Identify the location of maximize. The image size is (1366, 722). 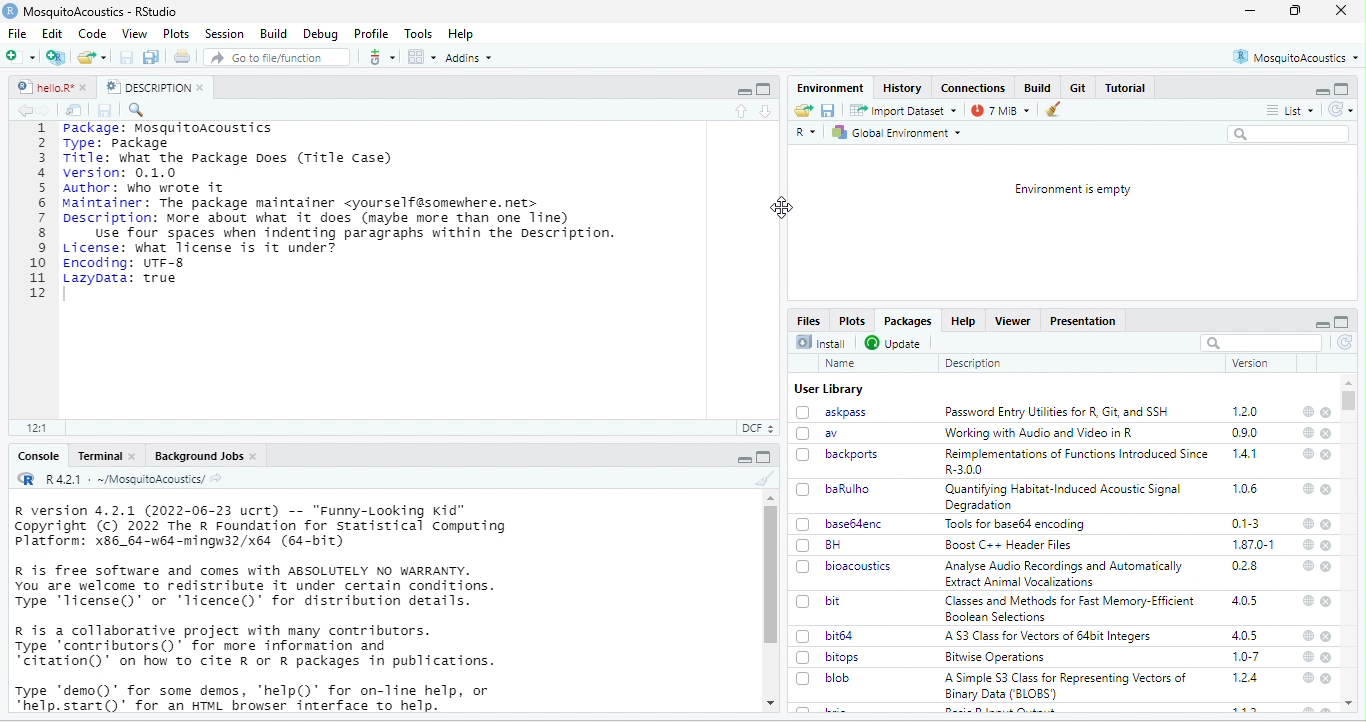
(743, 457).